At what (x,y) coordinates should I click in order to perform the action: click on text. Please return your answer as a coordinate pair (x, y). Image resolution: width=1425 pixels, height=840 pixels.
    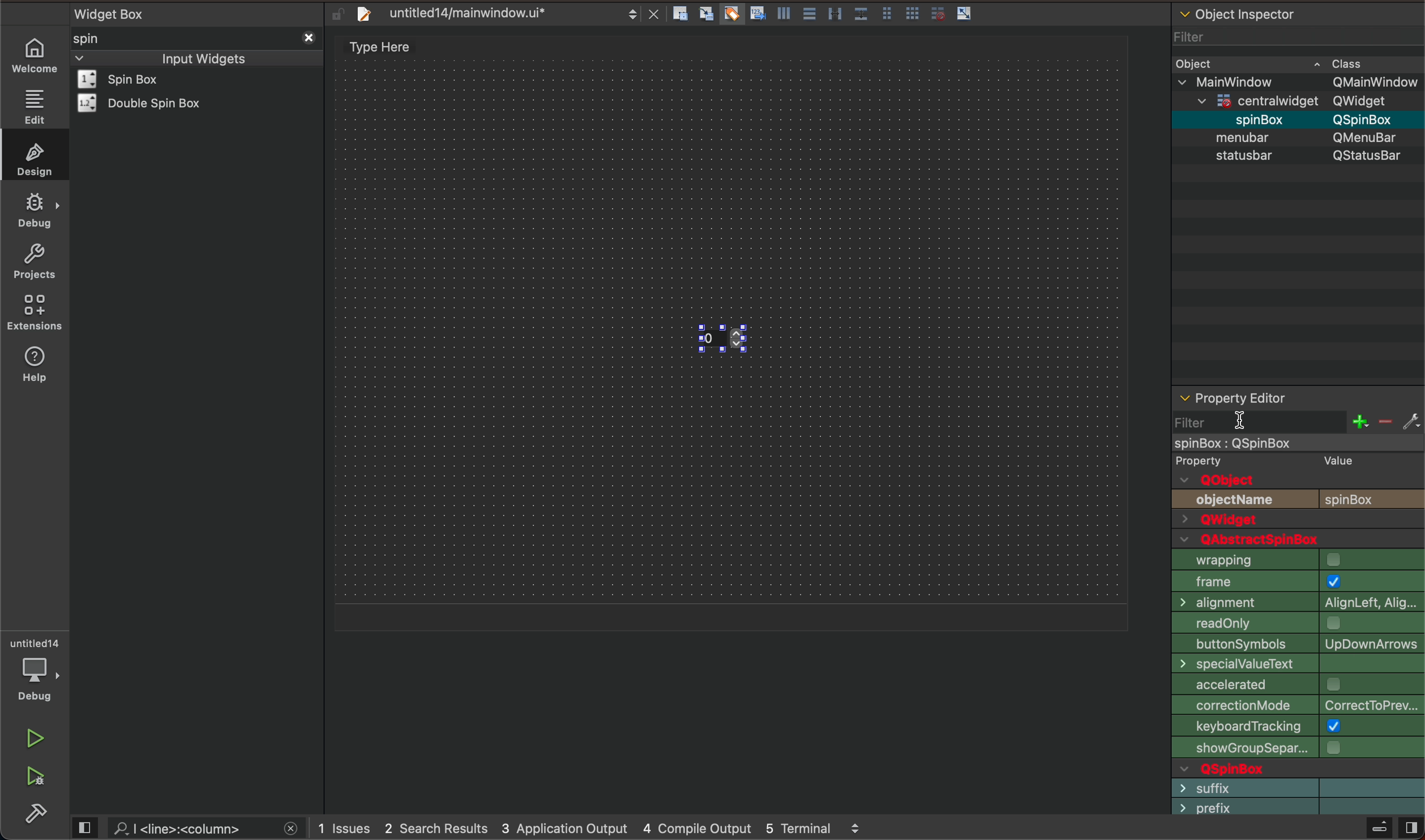
    Looking at the image, I should click on (1296, 725).